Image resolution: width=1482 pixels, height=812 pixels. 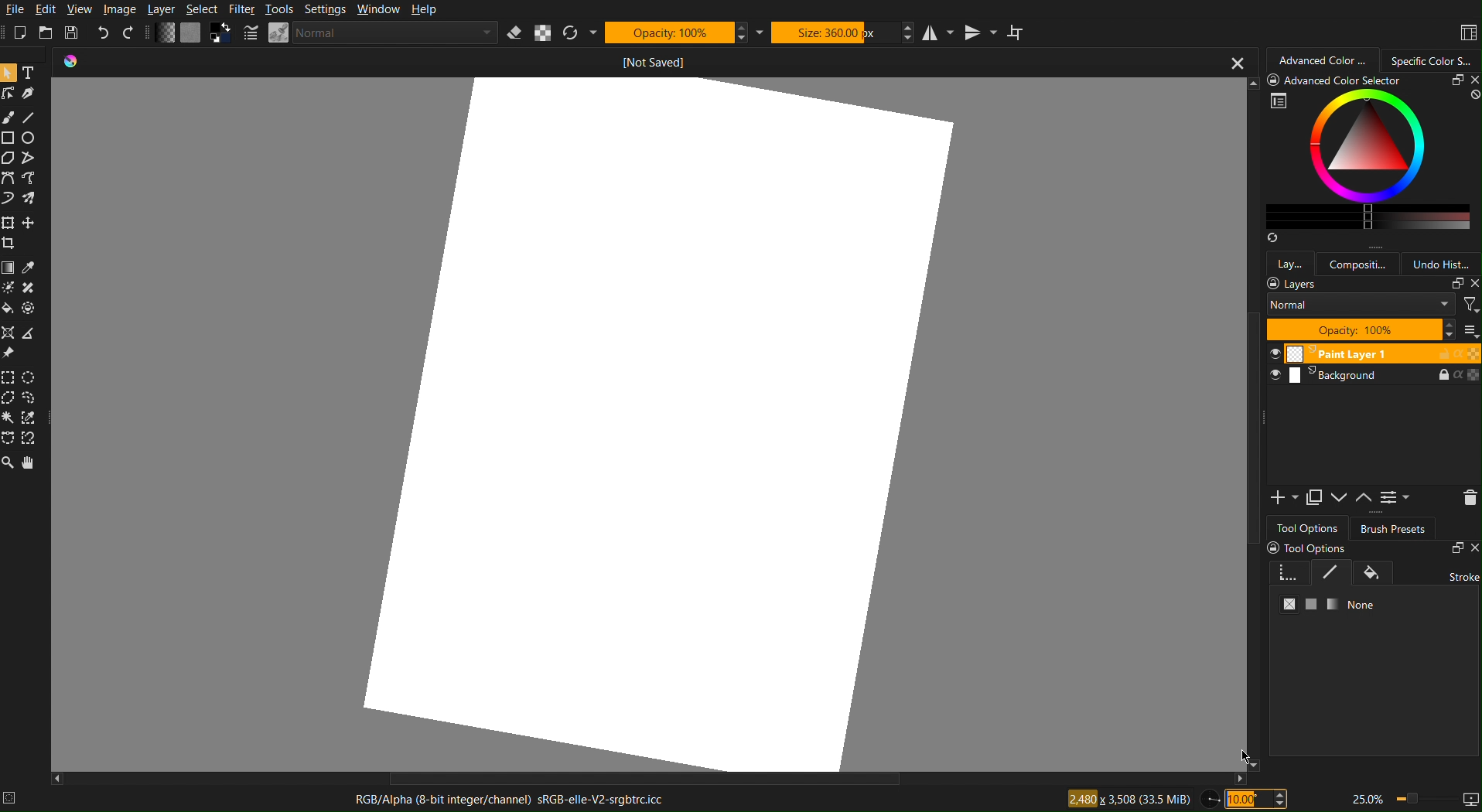 What do you see at coordinates (8, 353) in the screenshot?
I see `Reference Image Tool` at bounding box center [8, 353].